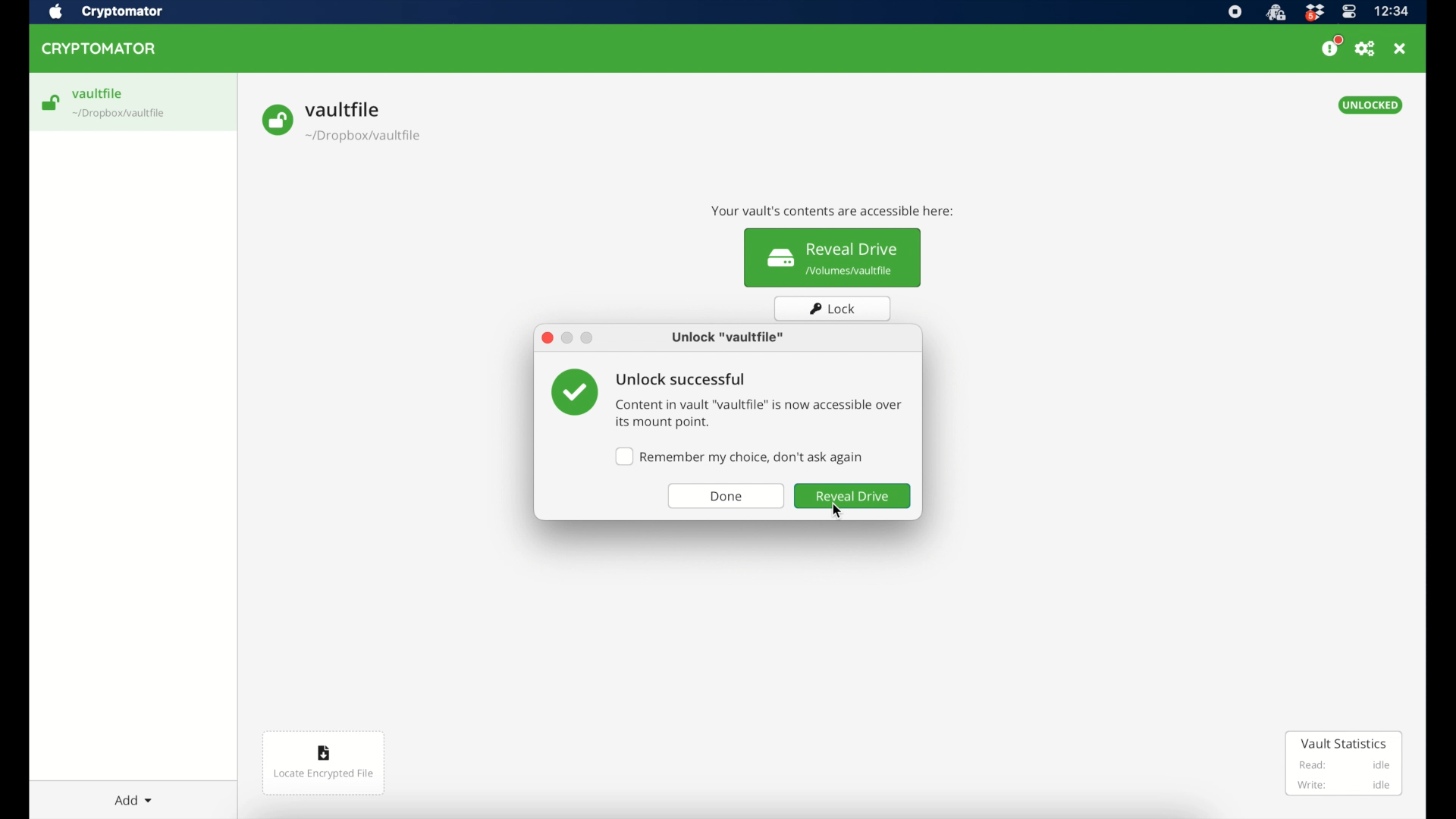 This screenshot has width=1456, height=819. I want to click on dropbox icon, so click(1314, 11).